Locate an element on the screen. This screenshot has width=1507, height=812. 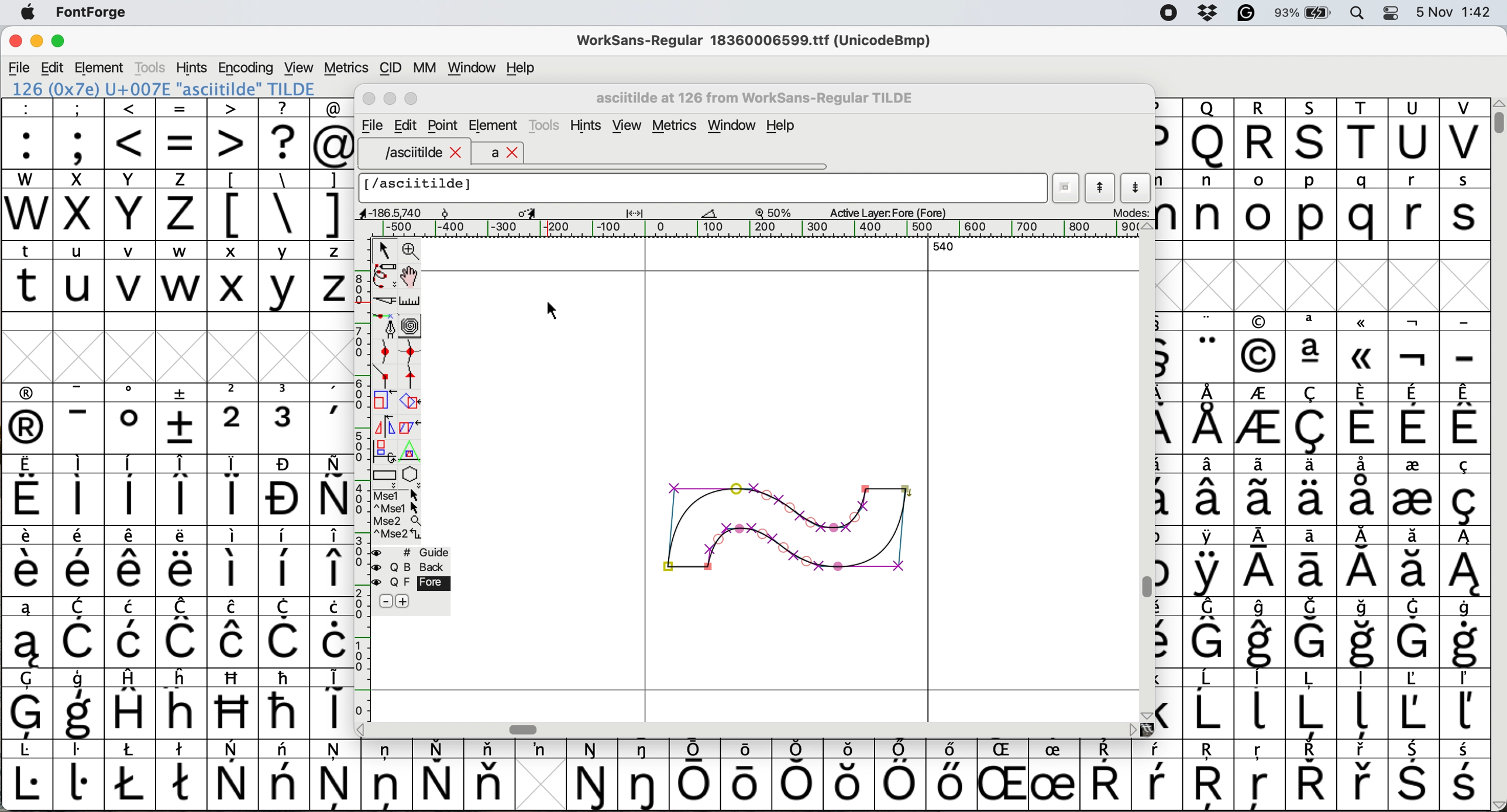
symbol is located at coordinates (1312, 347).